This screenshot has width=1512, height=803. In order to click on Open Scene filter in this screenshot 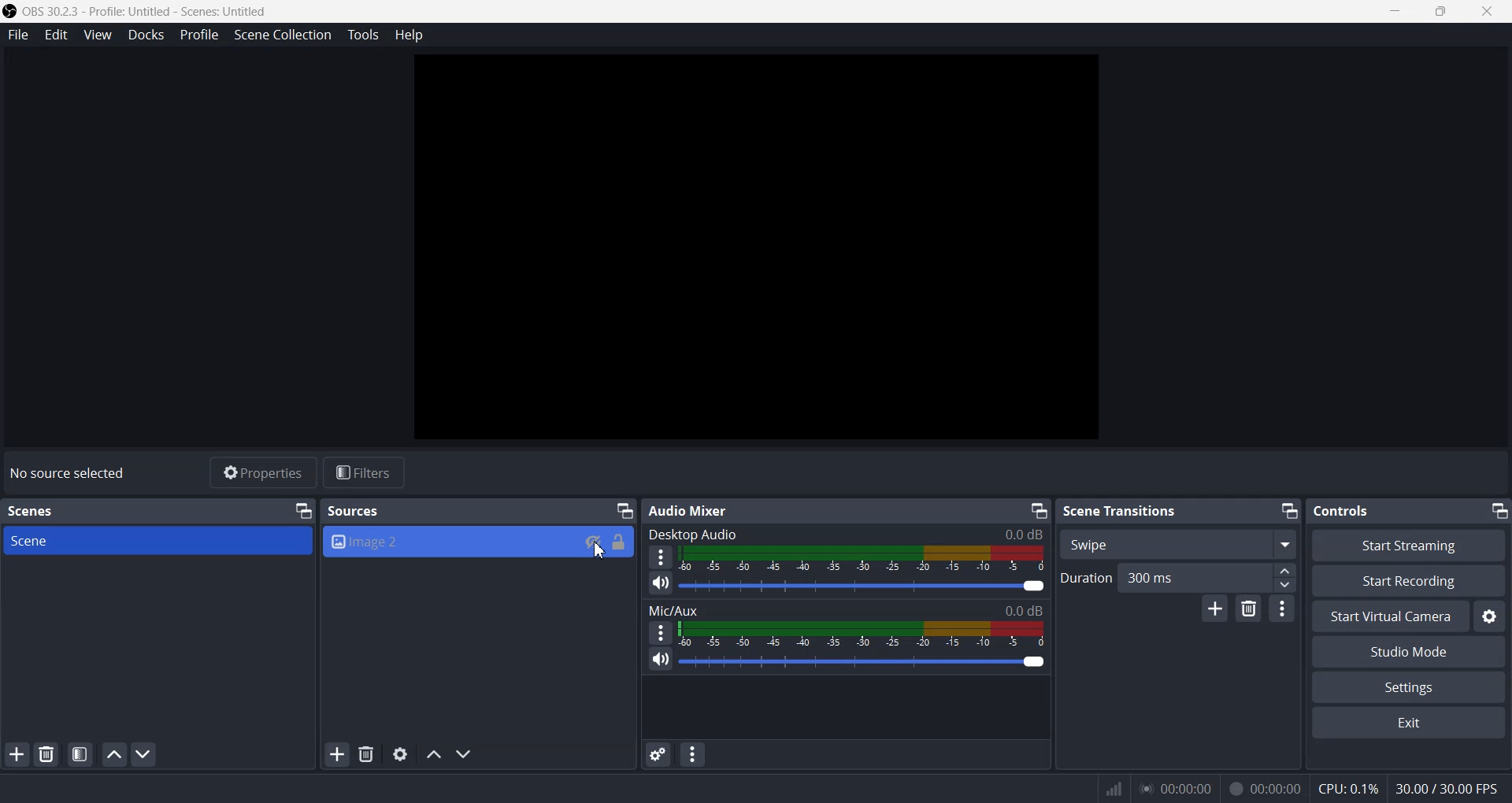, I will do `click(77, 755)`.